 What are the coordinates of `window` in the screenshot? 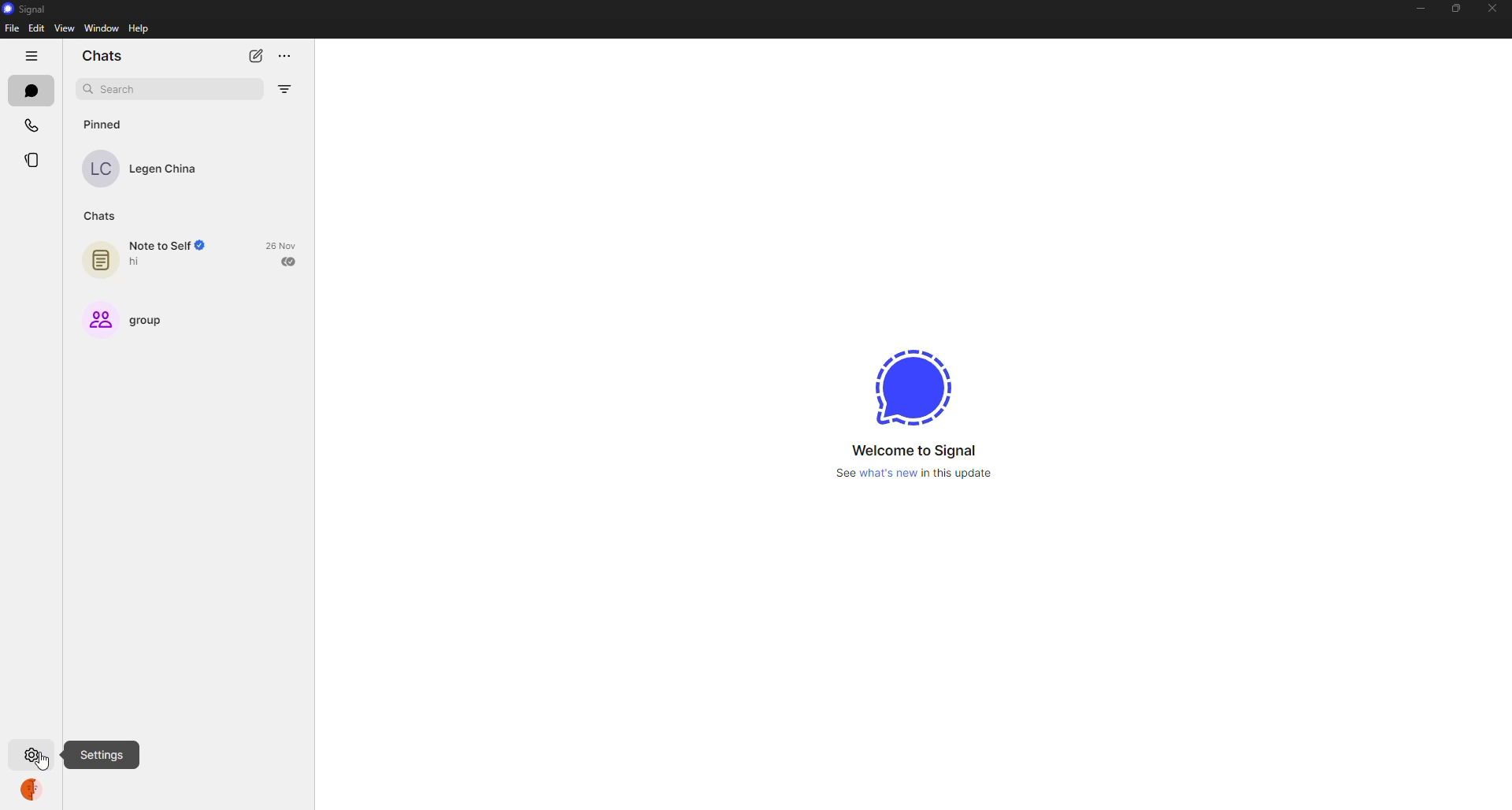 It's located at (101, 29).